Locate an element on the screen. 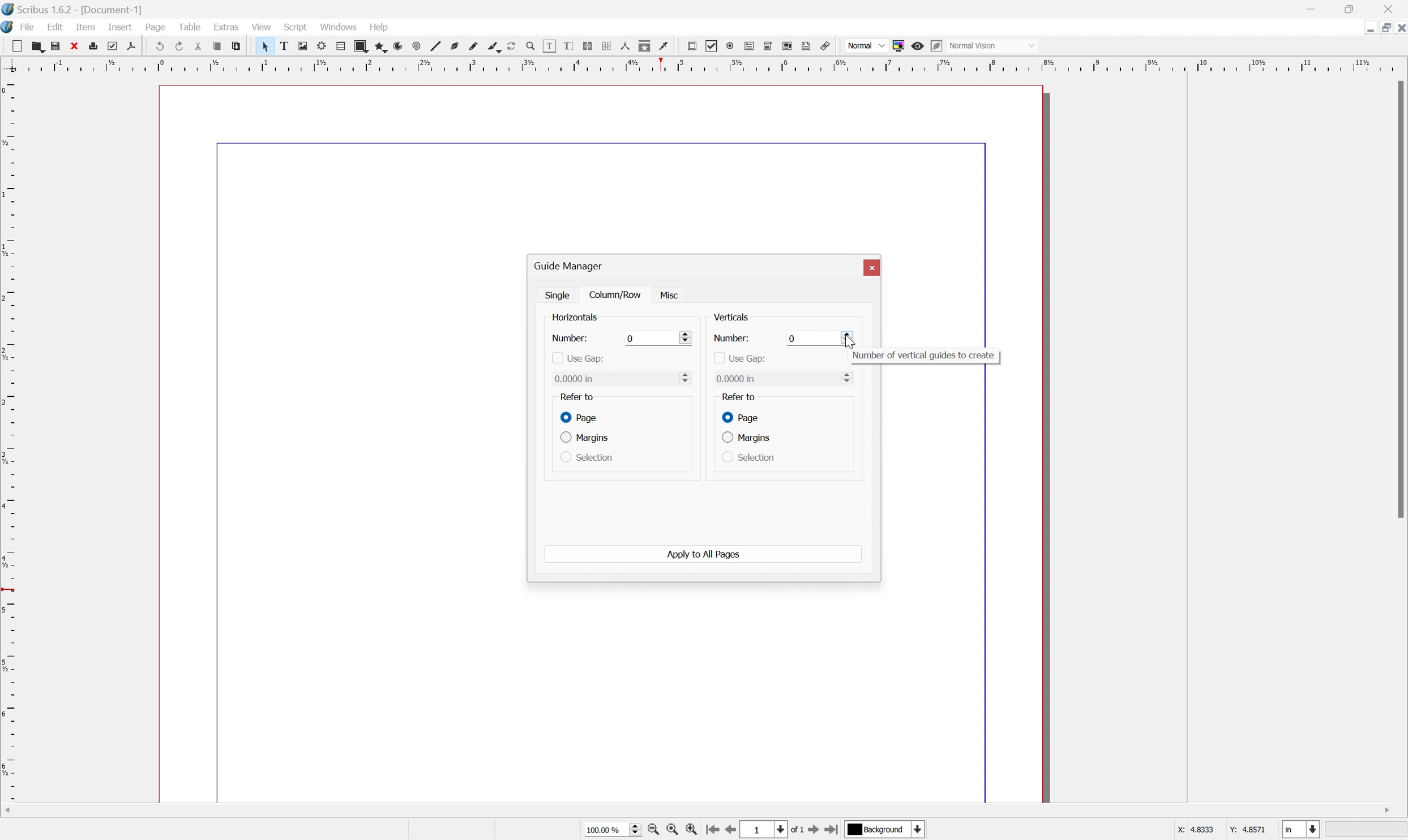 The image size is (1408, 840). use gap is located at coordinates (739, 358).